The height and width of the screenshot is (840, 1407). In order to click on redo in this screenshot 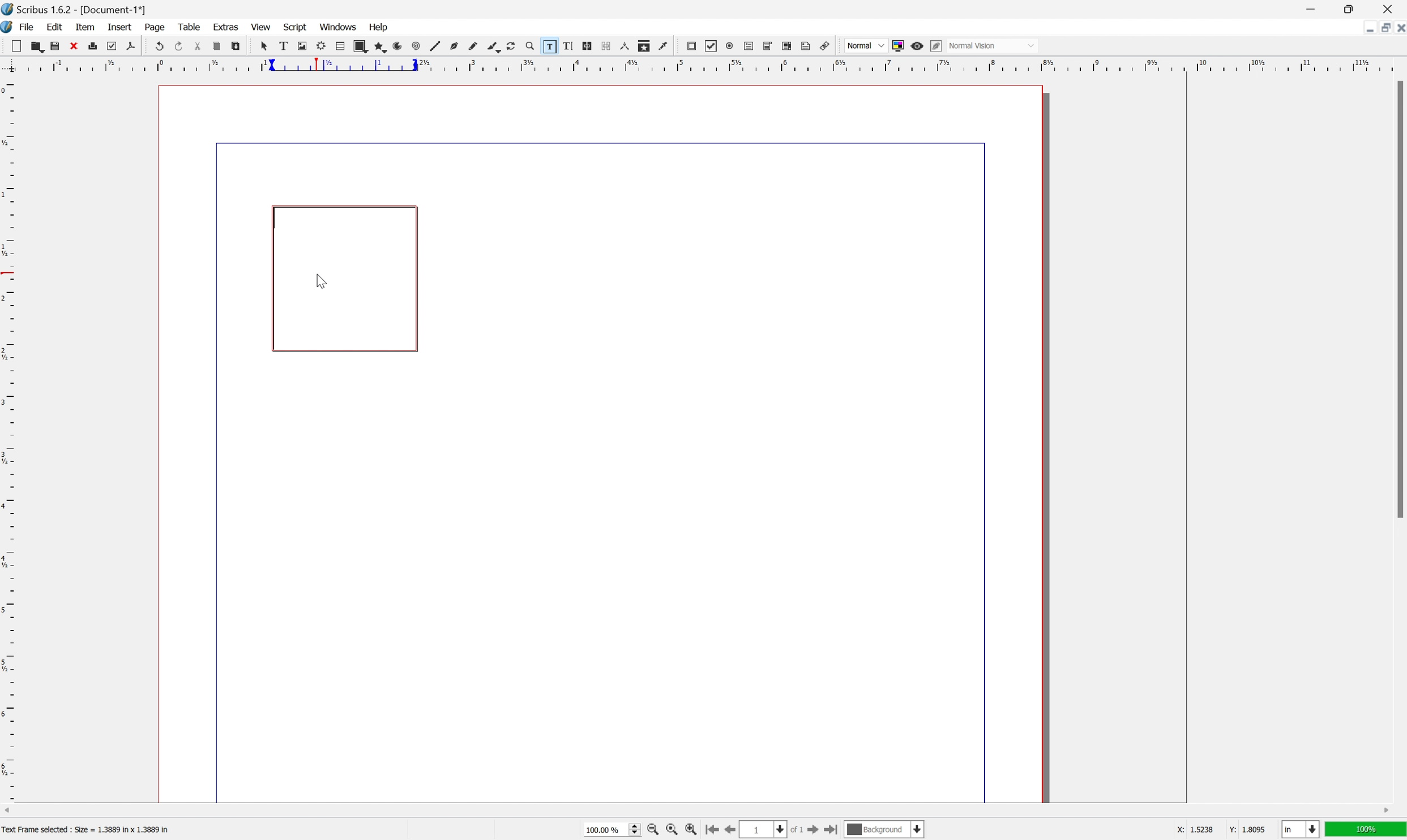, I will do `click(179, 45)`.